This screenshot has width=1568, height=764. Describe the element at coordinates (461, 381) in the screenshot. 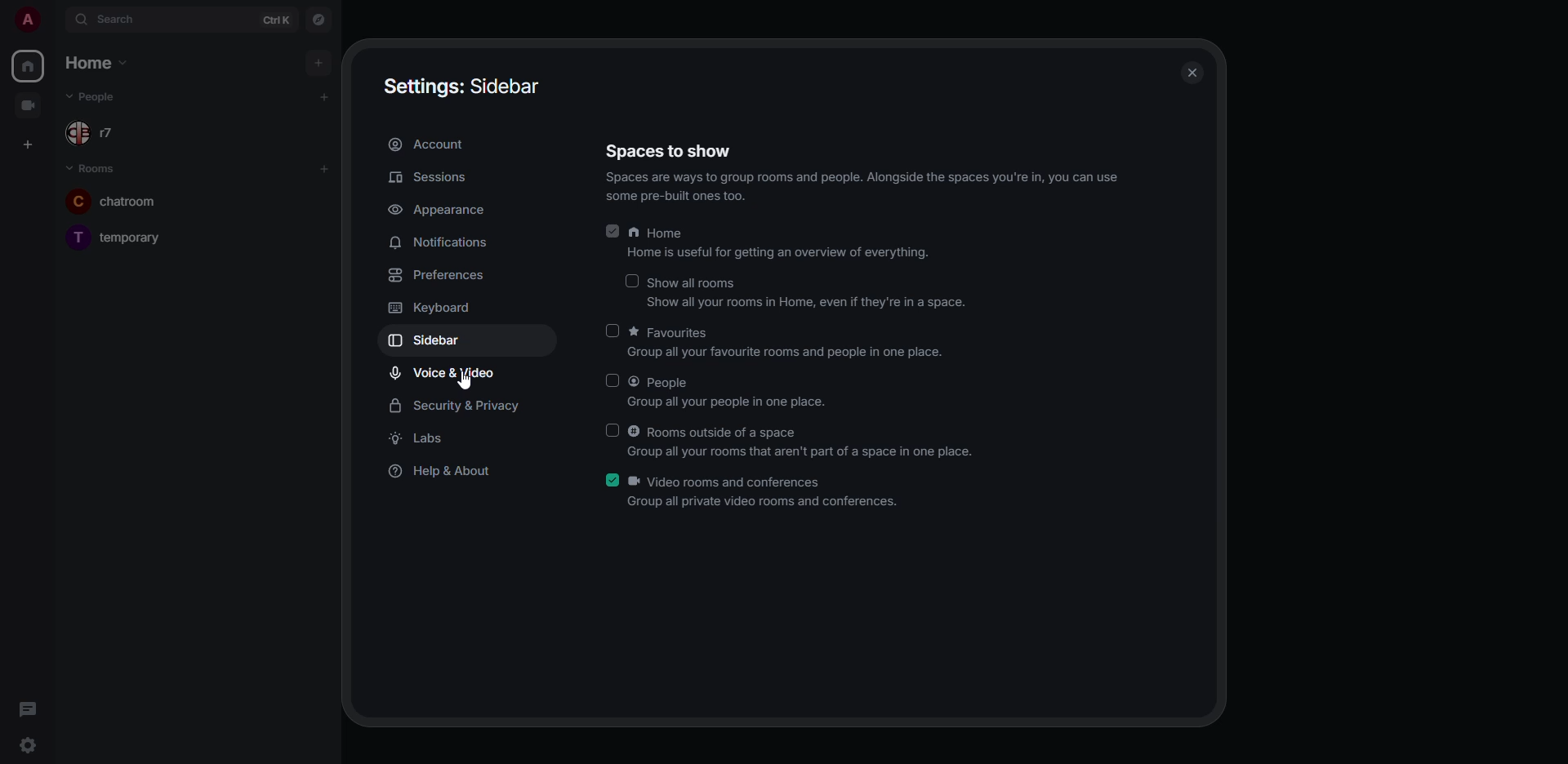

I see `cursor` at that location.